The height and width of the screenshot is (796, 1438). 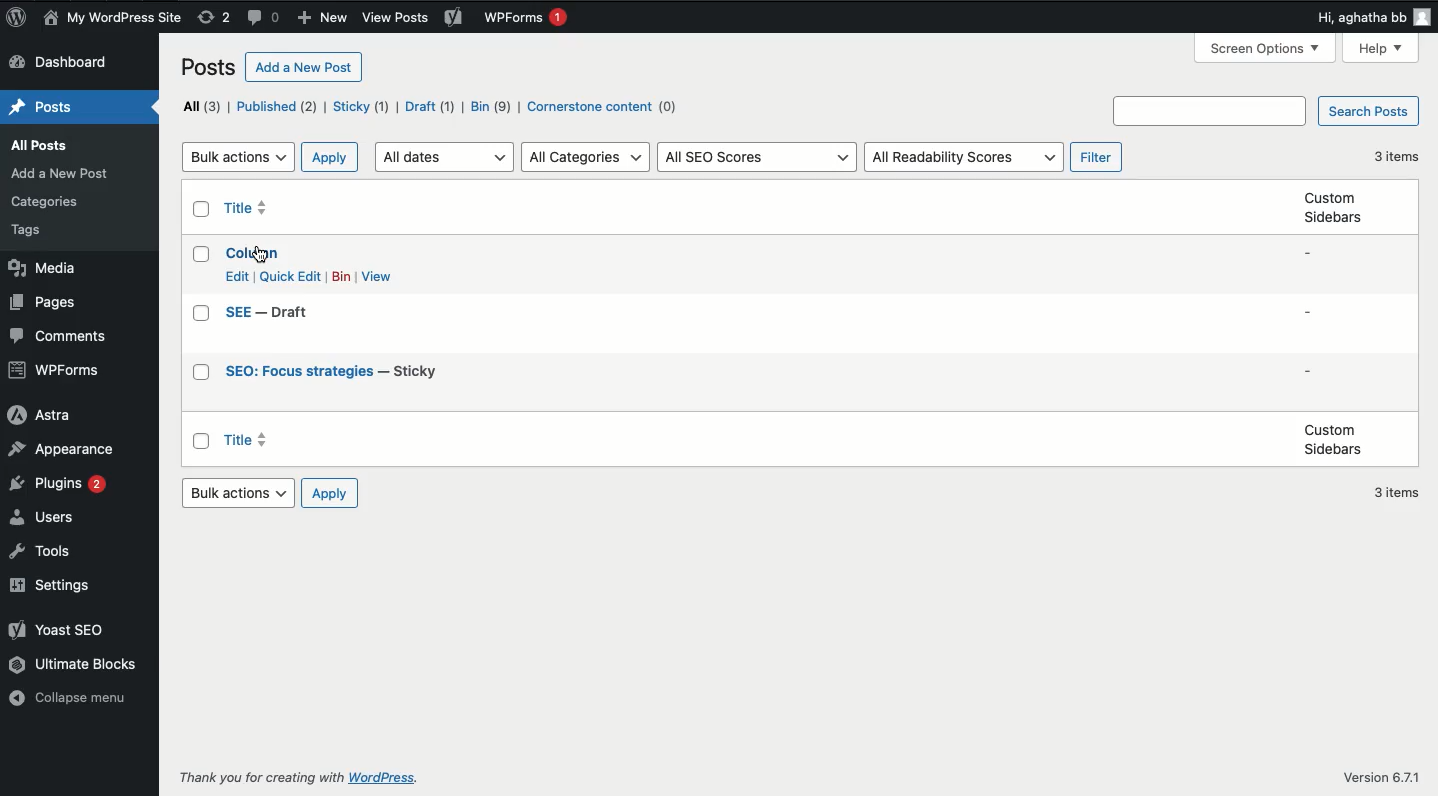 What do you see at coordinates (45, 270) in the screenshot?
I see `Media` at bounding box center [45, 270].